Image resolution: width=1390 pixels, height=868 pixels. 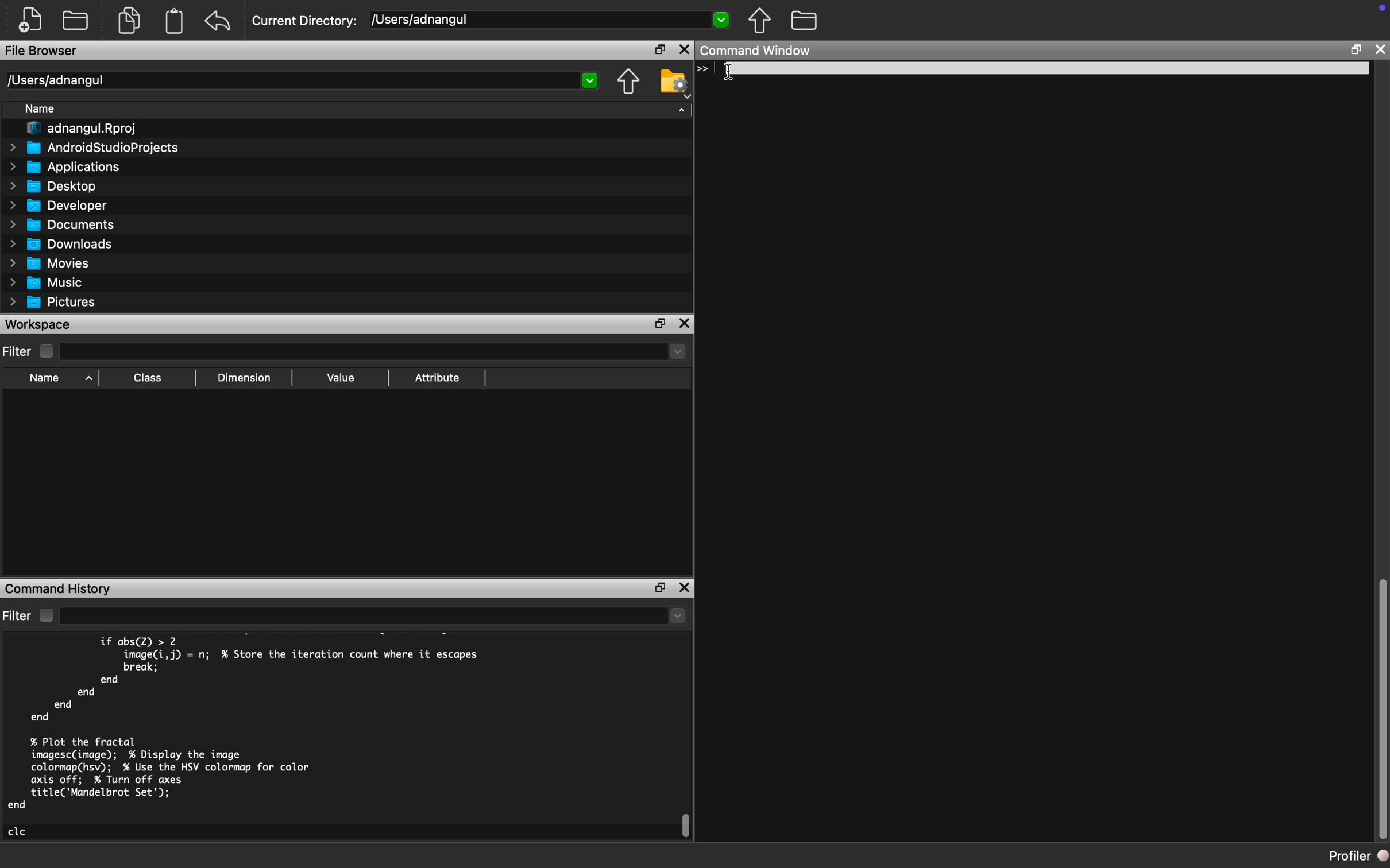 What do you see at coordinates (19, 831) in the screenshot?
I see `clc` at bounding box center [19, 831].